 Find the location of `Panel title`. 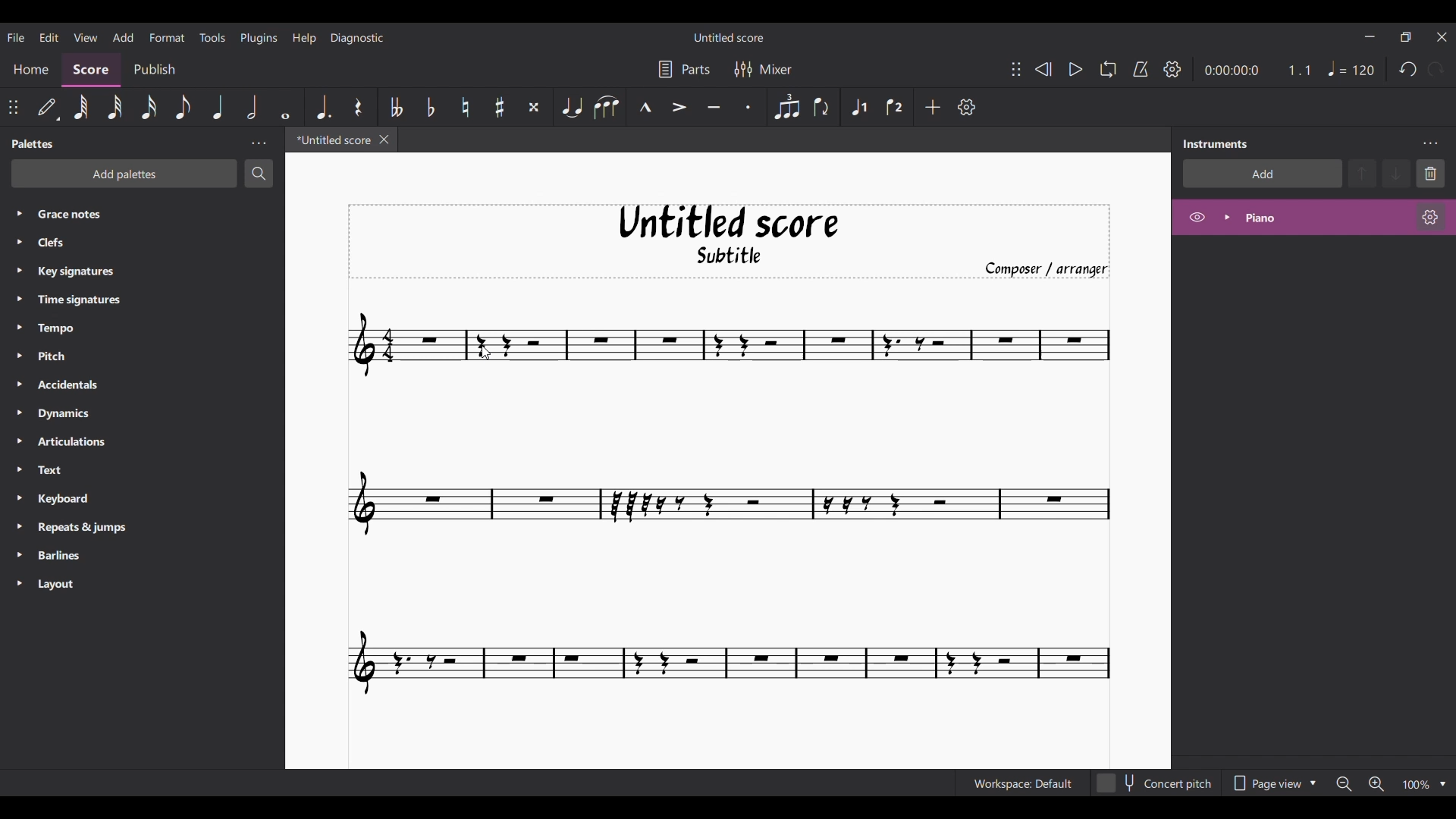

Panel title is located at coordinates (34, 143).